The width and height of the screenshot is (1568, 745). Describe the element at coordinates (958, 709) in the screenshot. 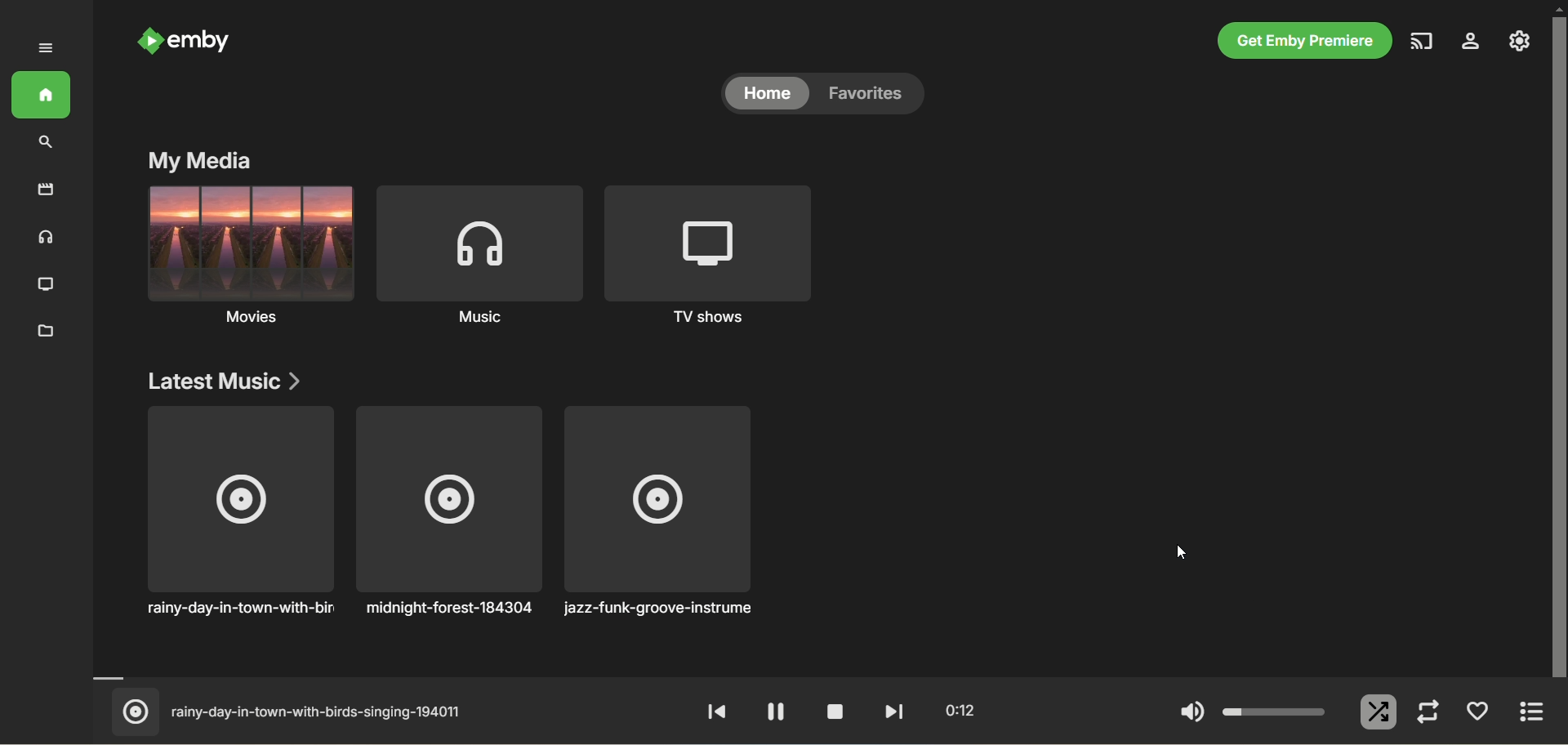

I see `0:12` at that location.